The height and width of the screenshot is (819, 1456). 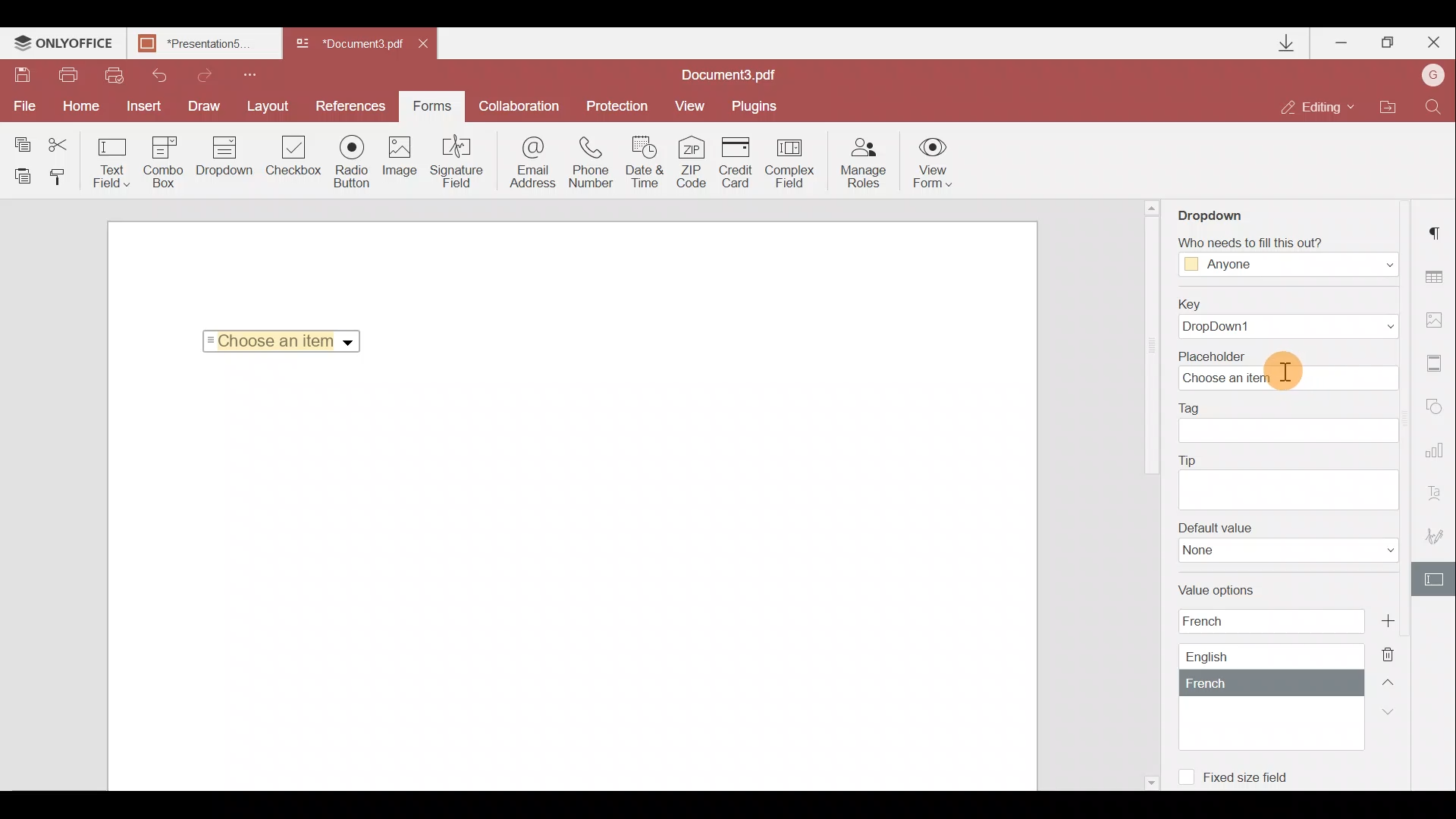 I want to click on Email address, so click(x=533, y=165).